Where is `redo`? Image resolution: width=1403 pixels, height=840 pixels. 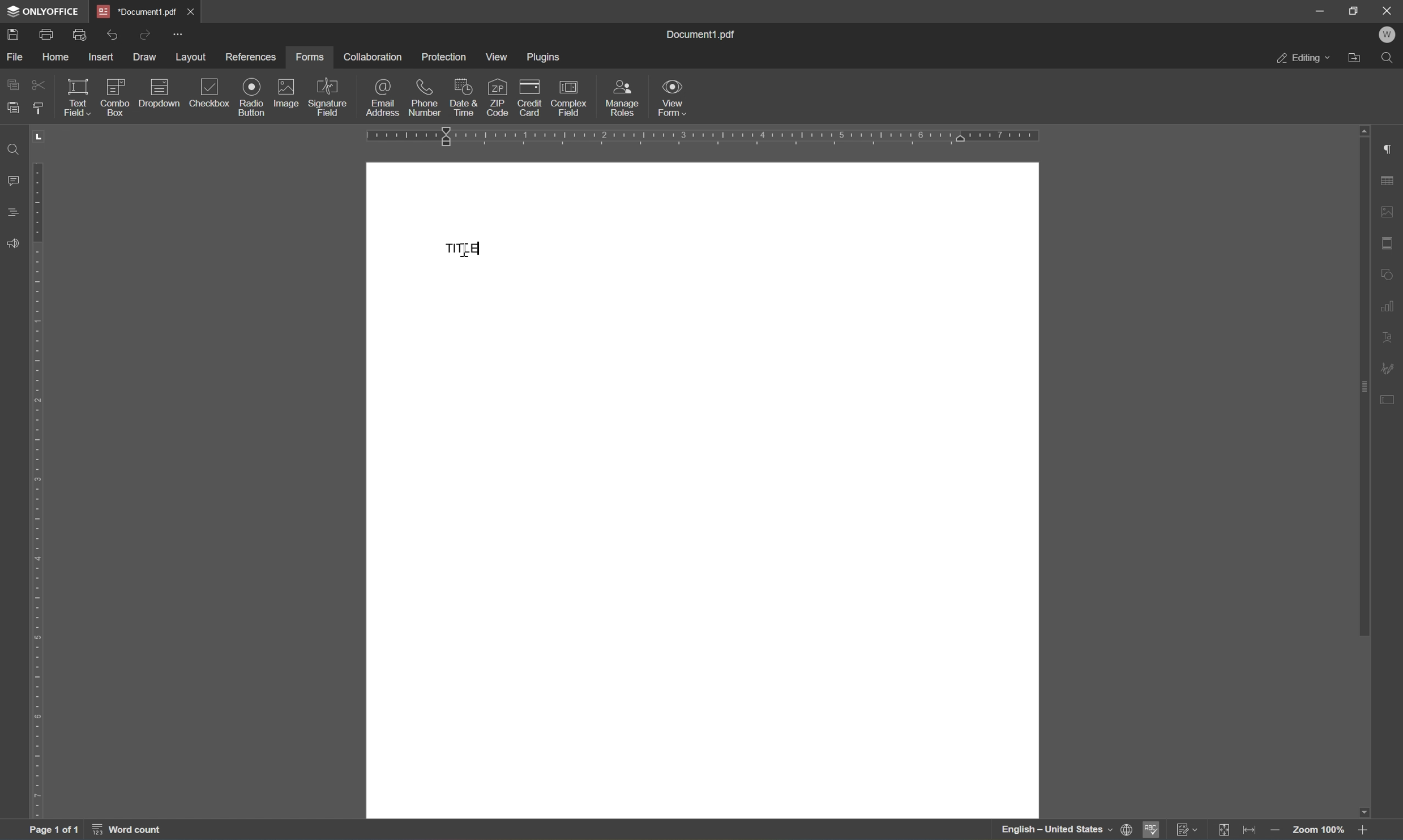
redo is located at coordinates (147, 35).